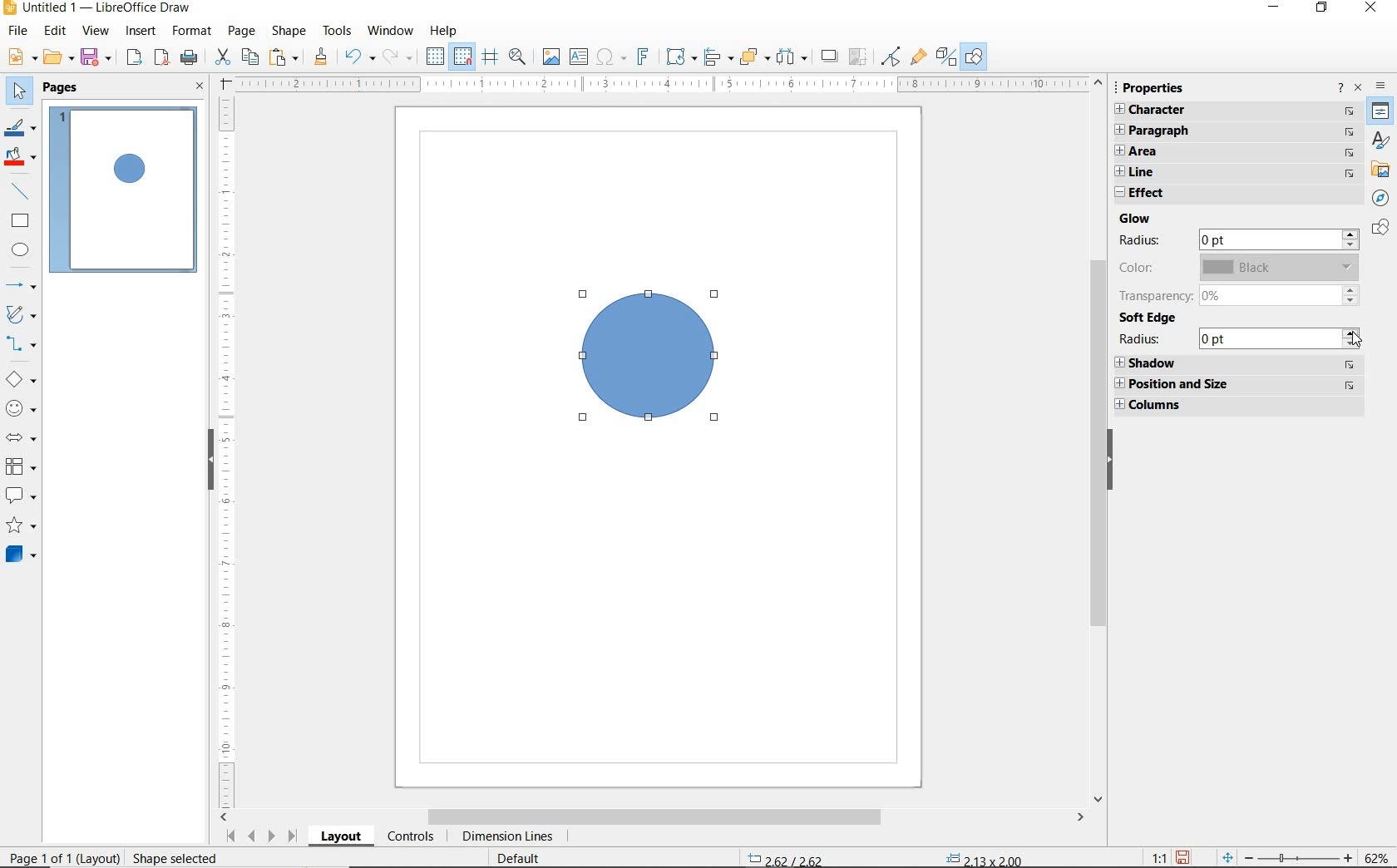  I want to click on PAGE, so click(243, 32).